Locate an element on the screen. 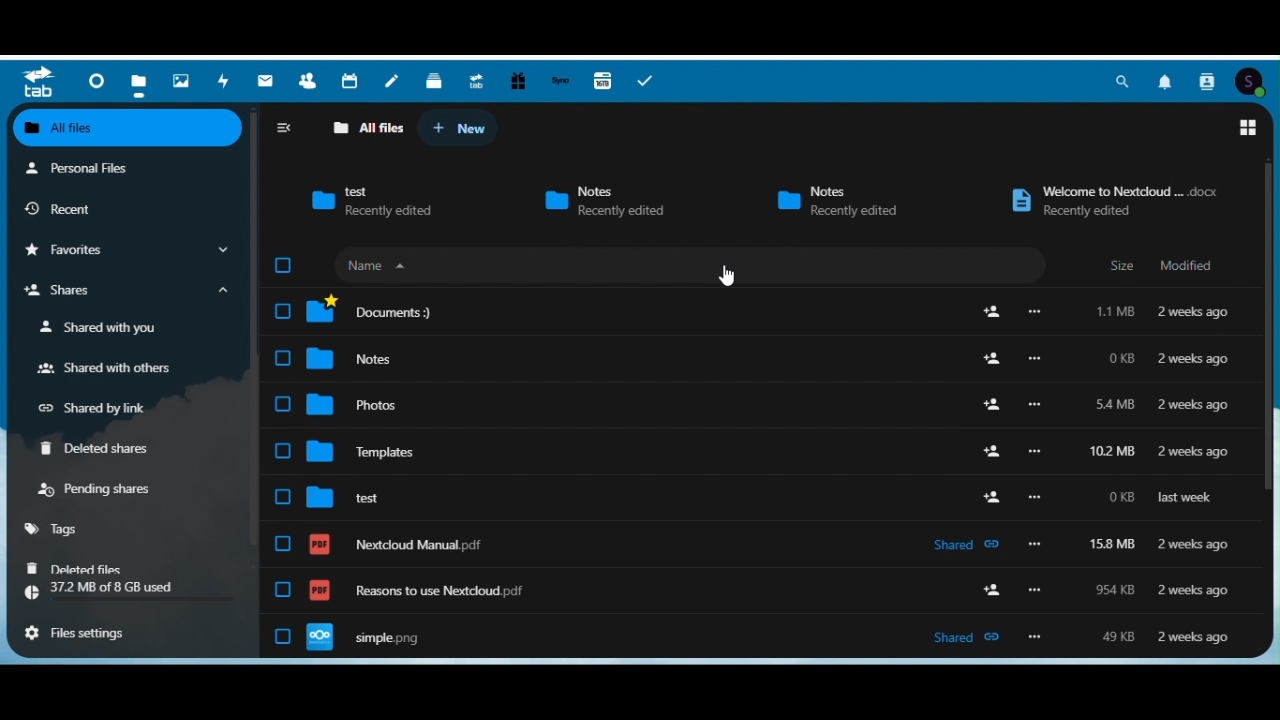 This screenshot has width=1280, height=720. Notes is located at coordinates (393, 80).